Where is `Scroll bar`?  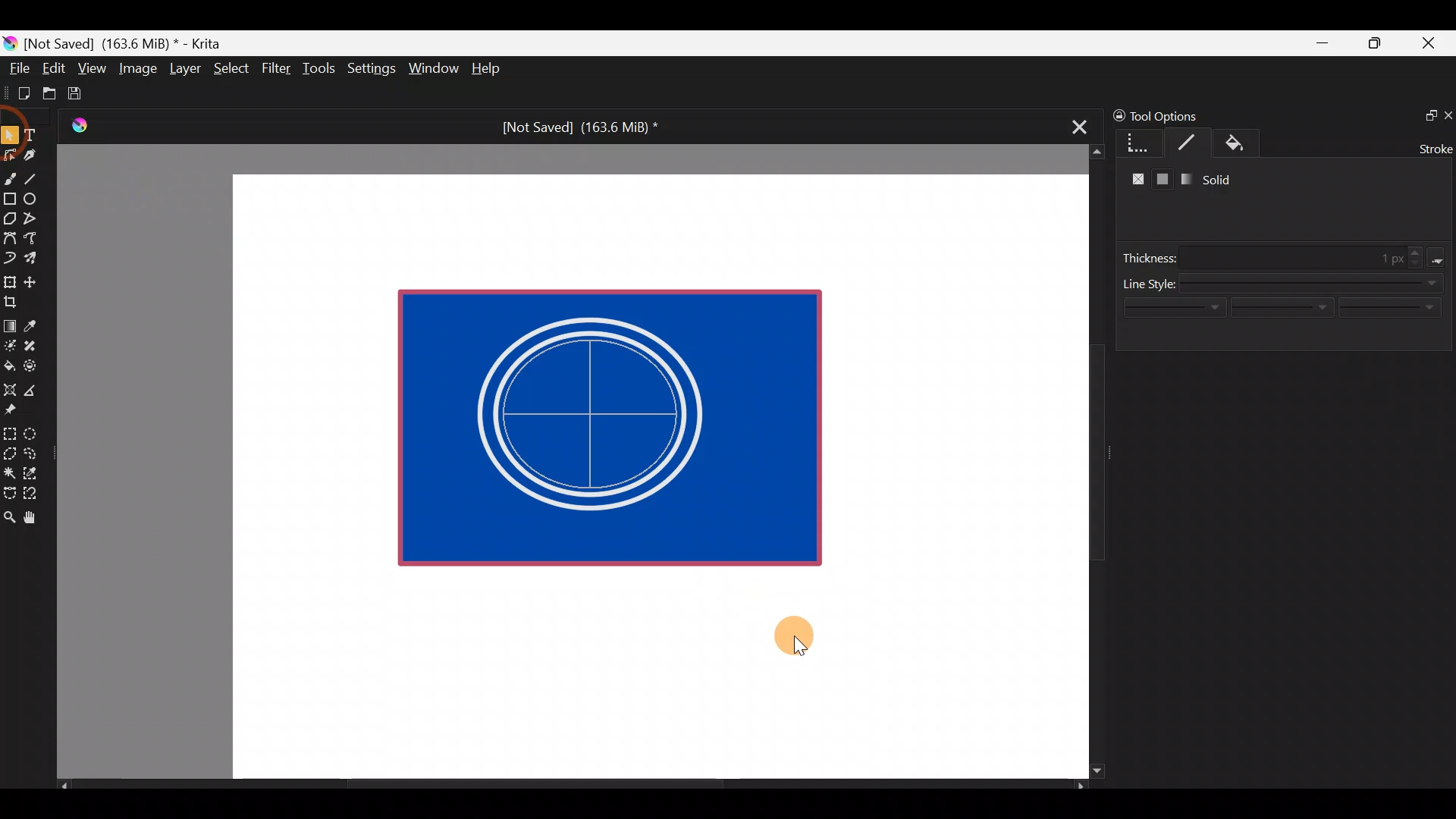 Scroll bar is located at coordinates (1086, 462).